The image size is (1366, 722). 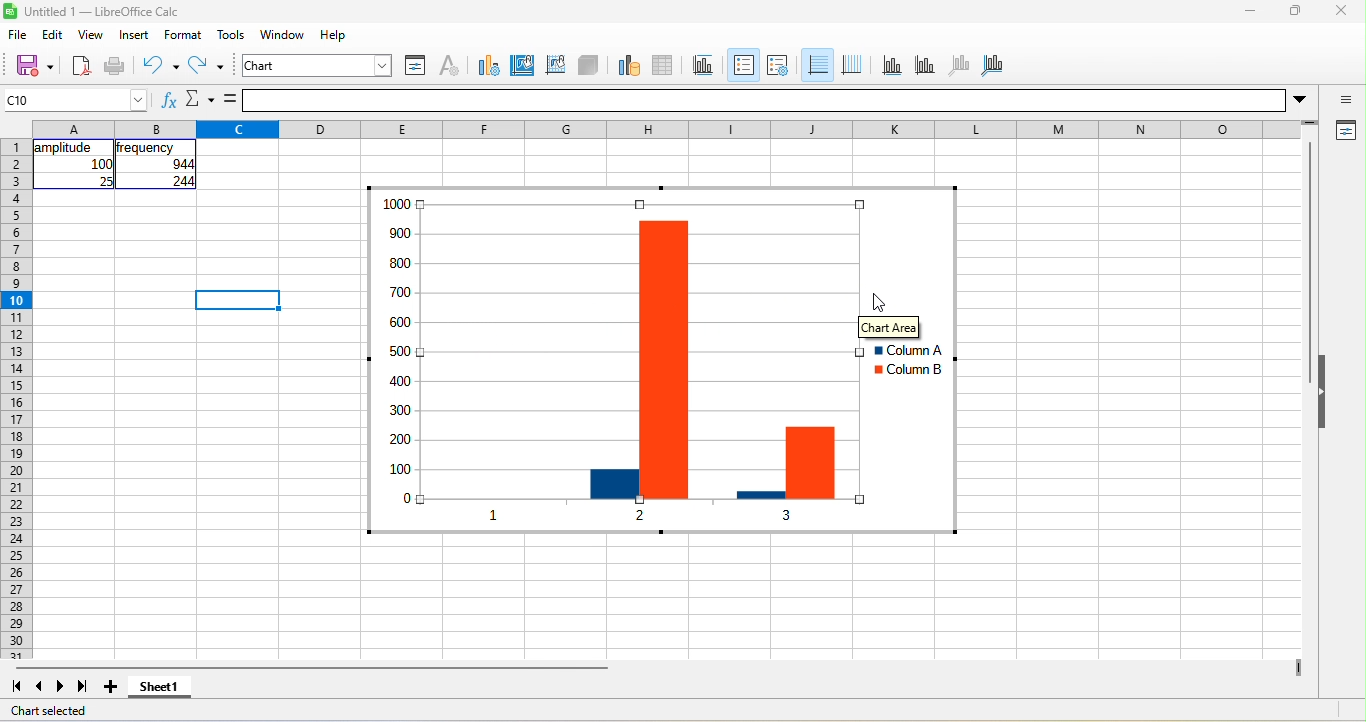 I want to click on first sheet, so click(x=14, y=685).